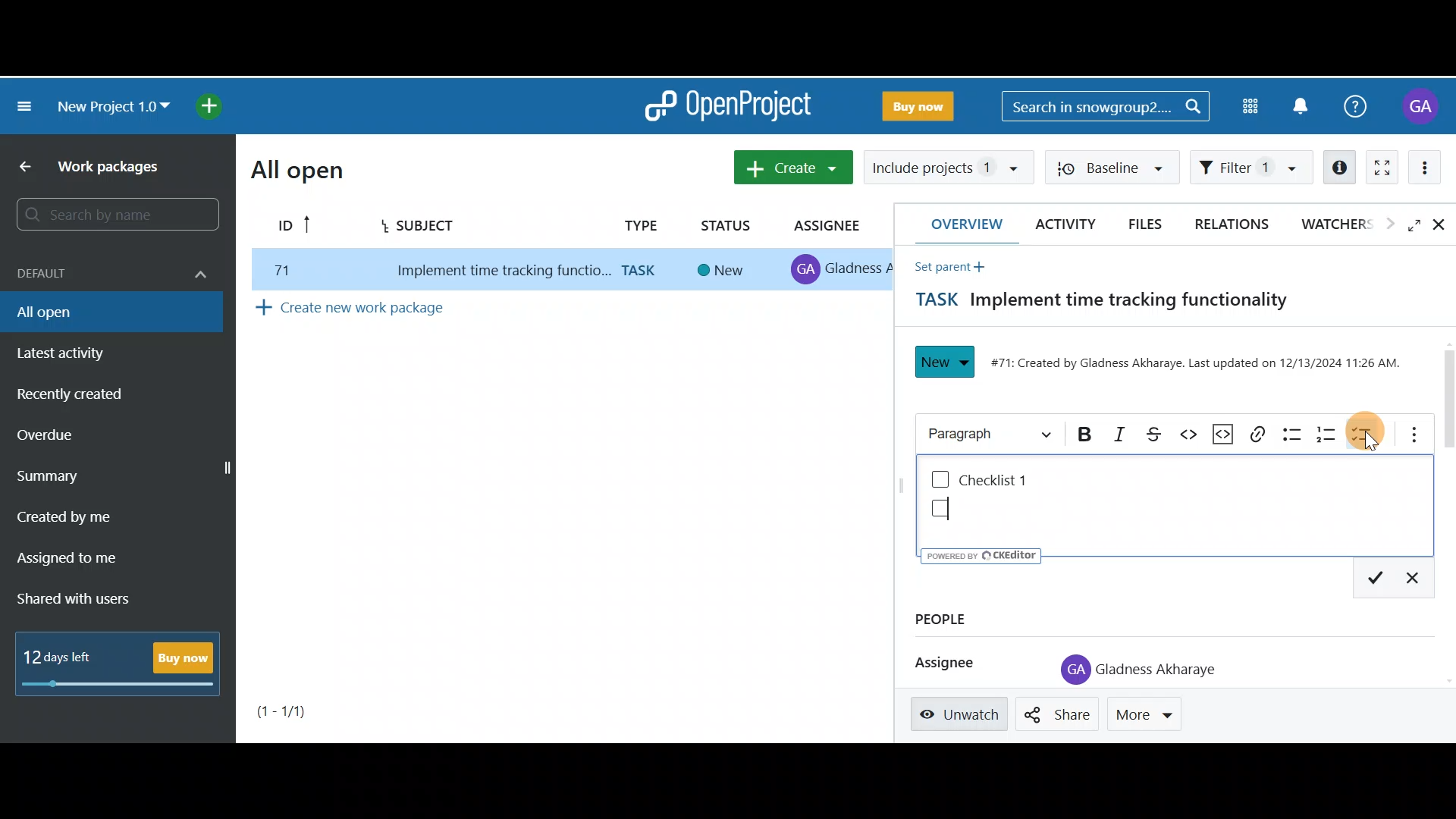  I want to click on Help, so click(1359, 111).